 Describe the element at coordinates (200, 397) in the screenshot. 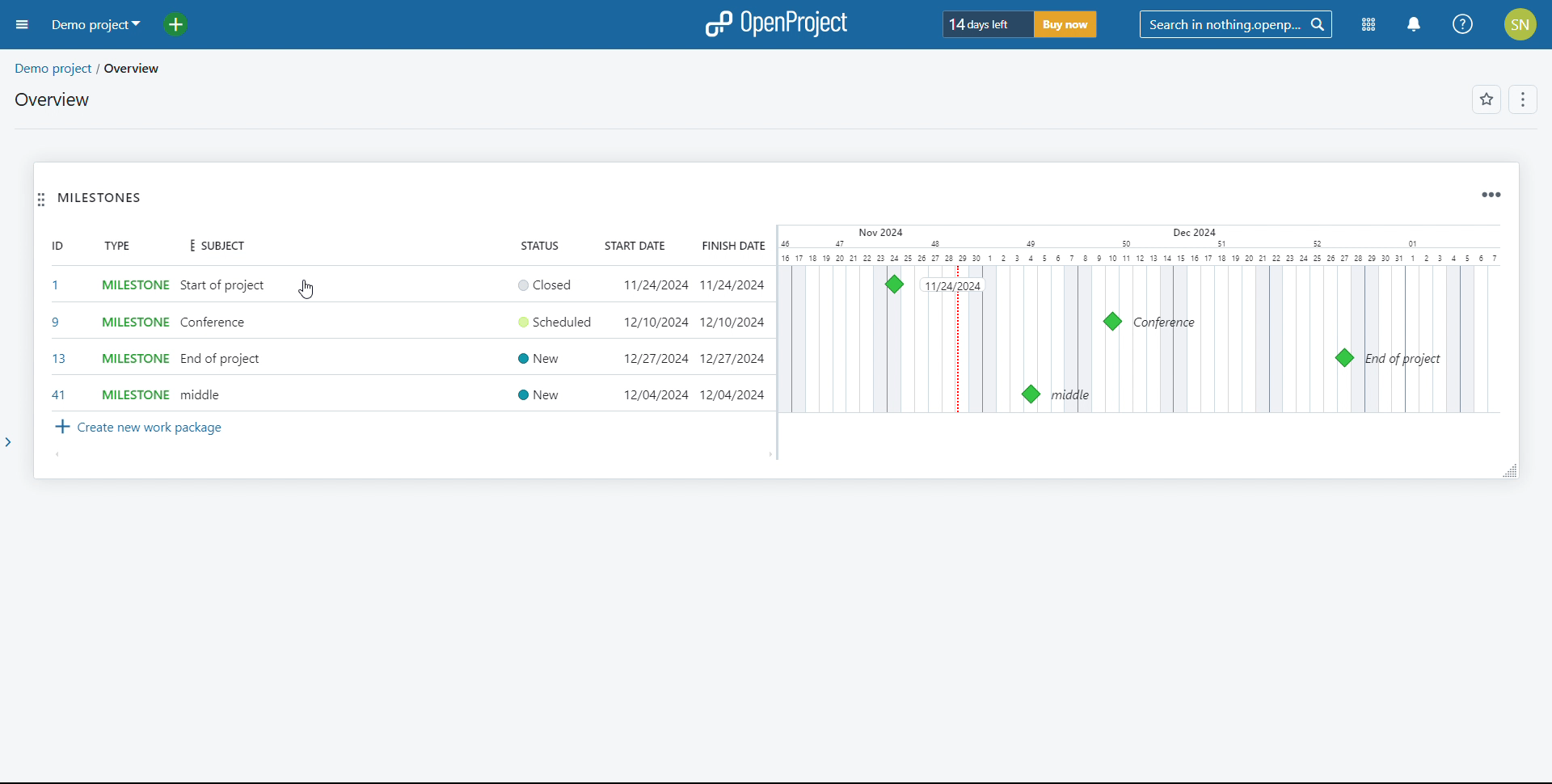

I see `middle` at that location.